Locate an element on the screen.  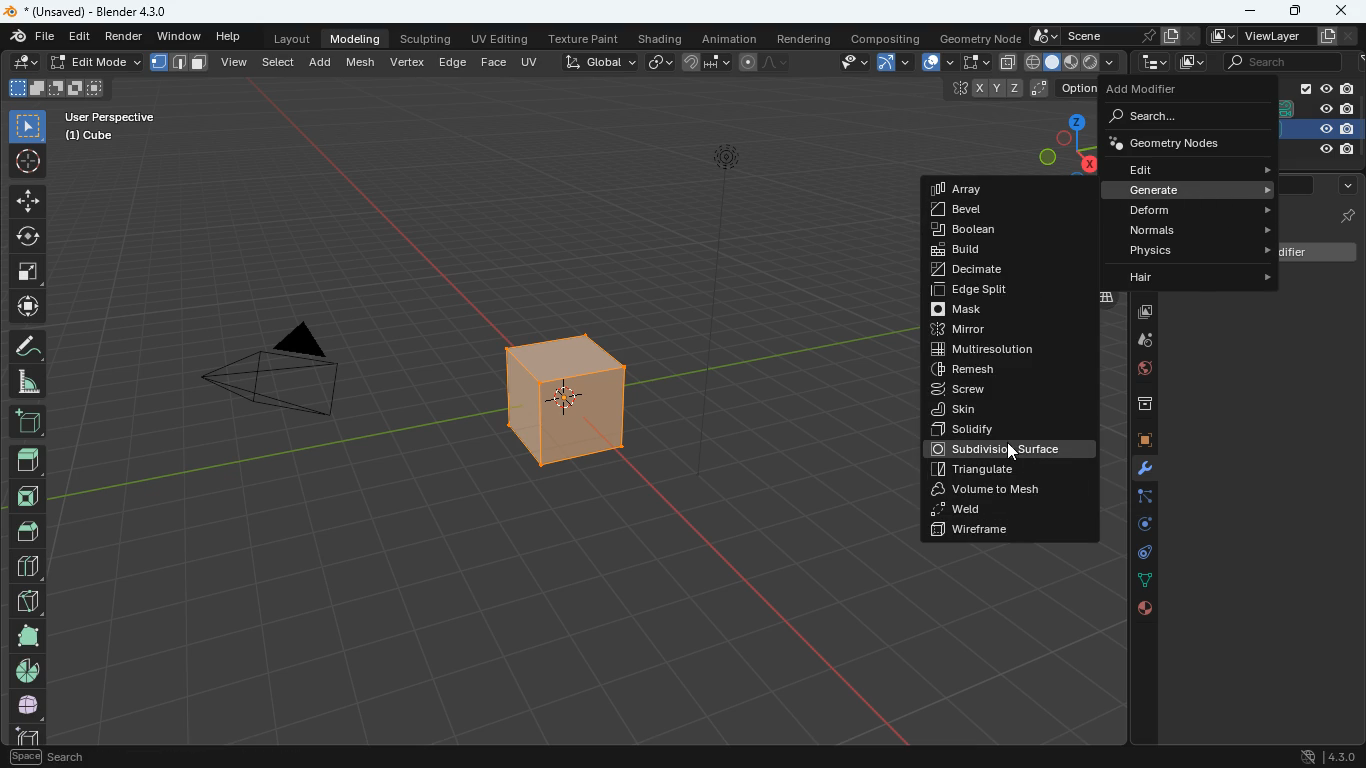
collection is located at coordinates (1322, 89).